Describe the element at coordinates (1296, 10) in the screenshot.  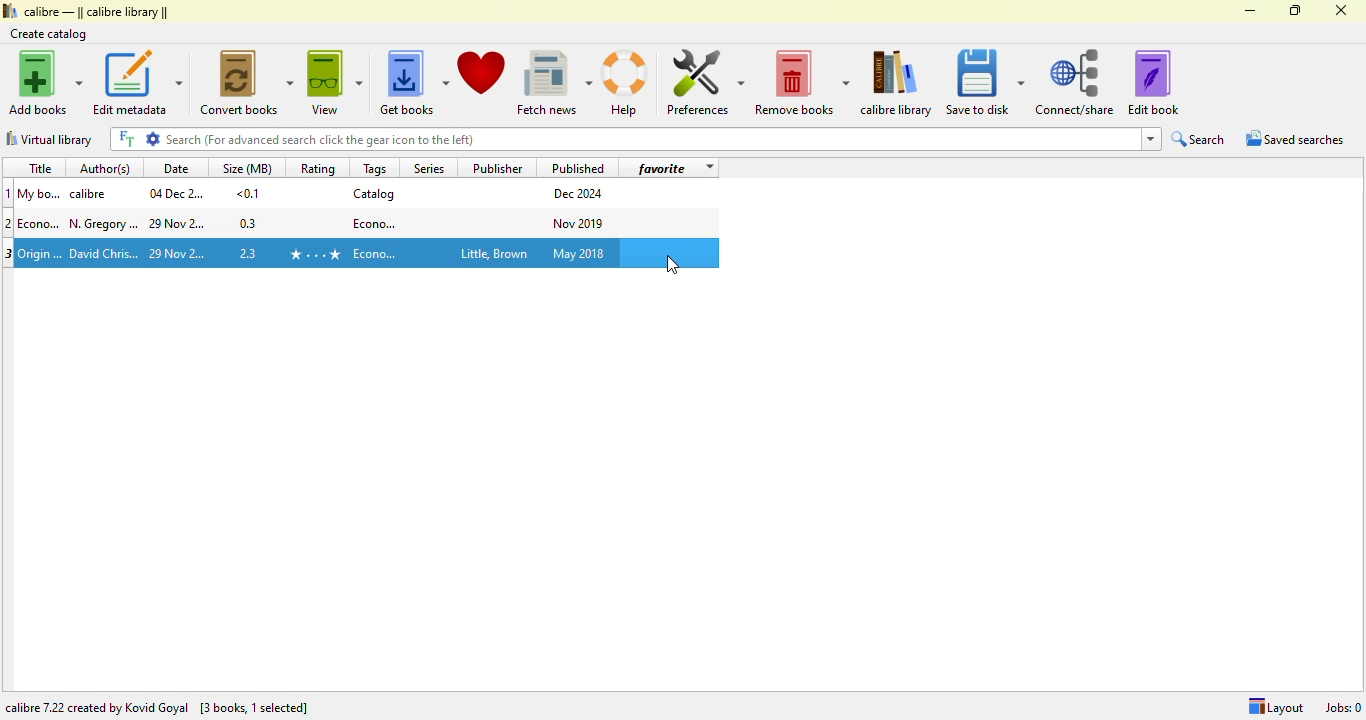
I see `maximize` at that location.